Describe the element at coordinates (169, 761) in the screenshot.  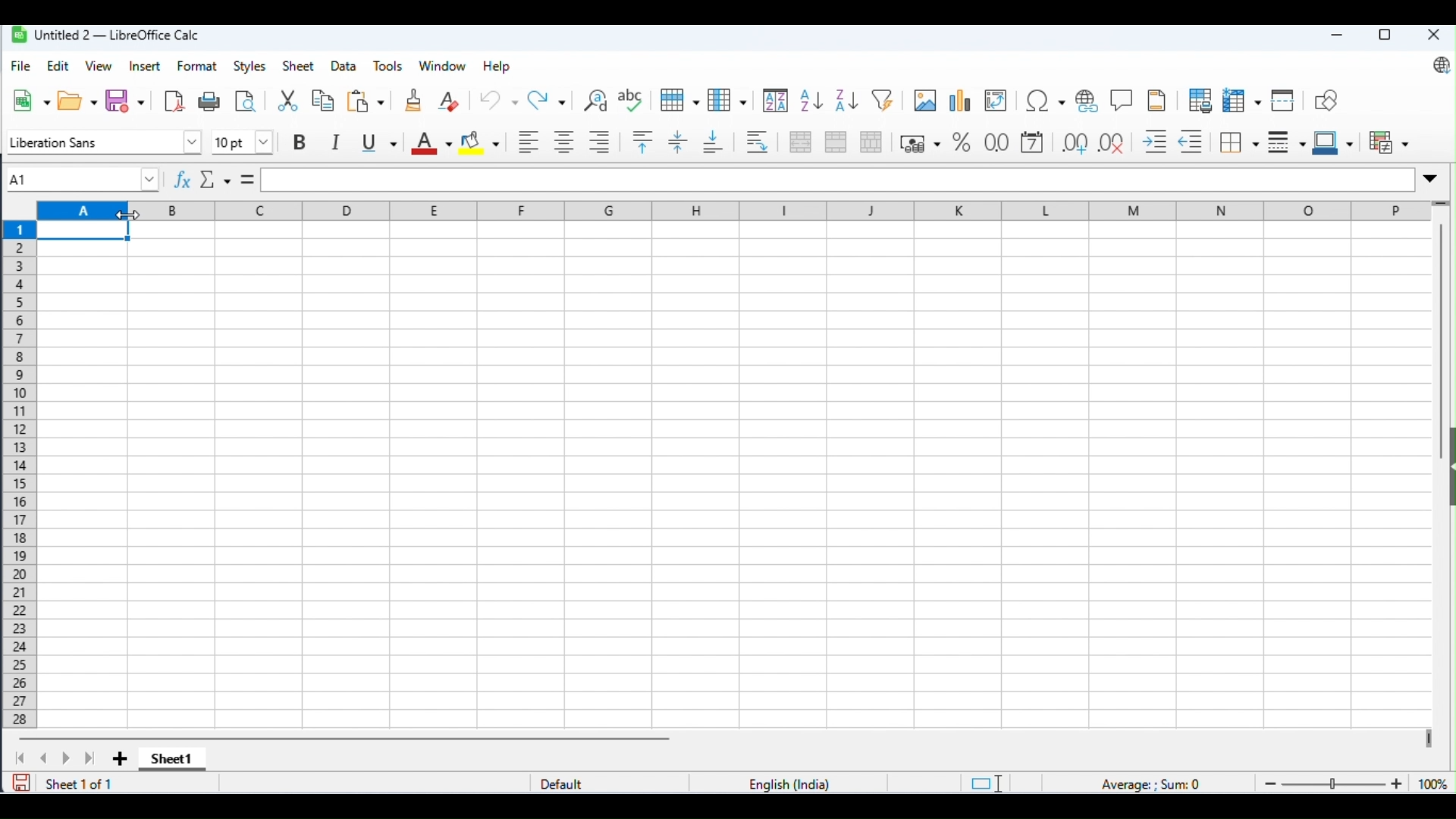
I see `sheet1` at that location.